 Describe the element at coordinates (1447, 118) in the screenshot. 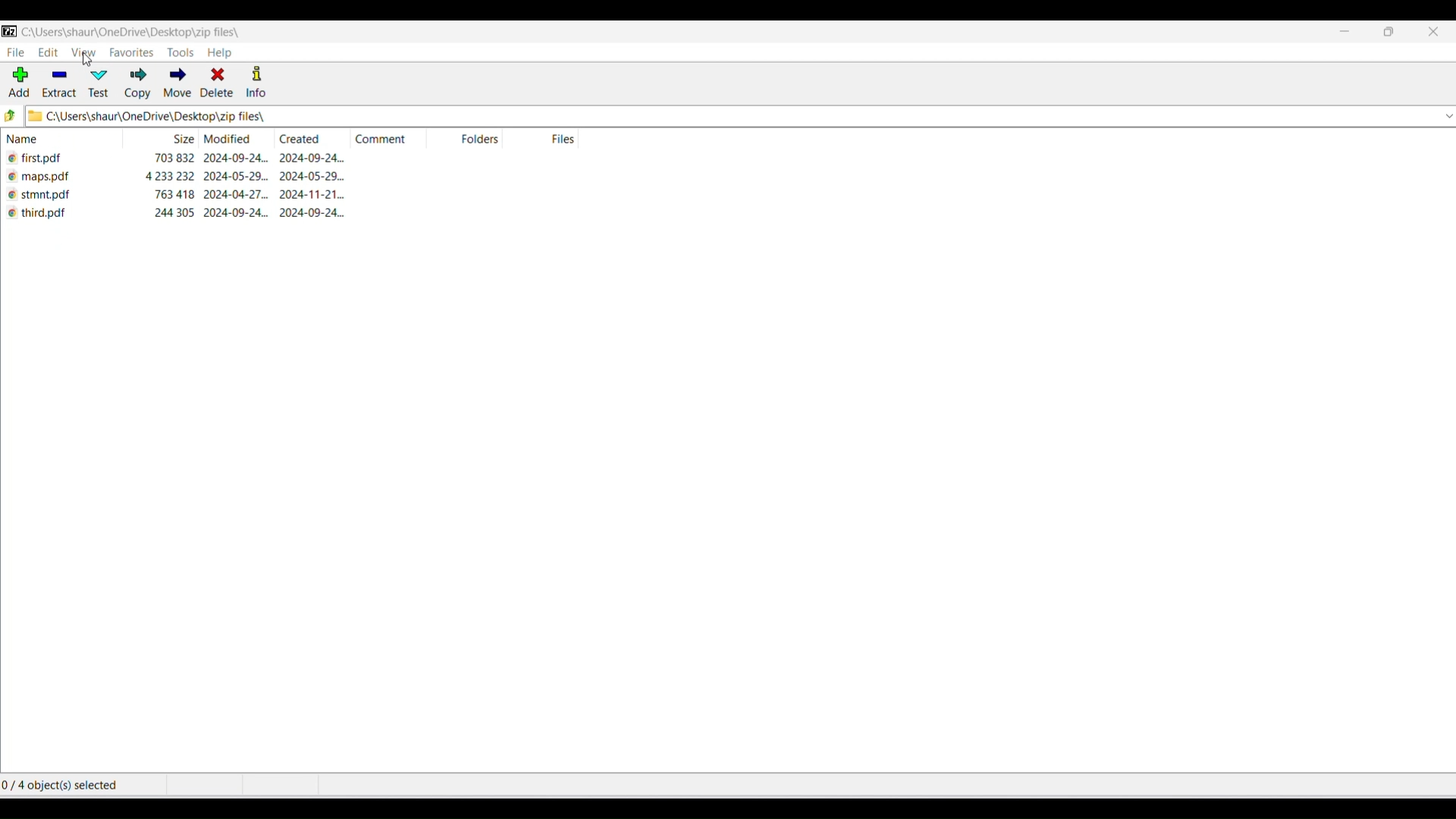

I see `dropdown` at that location.